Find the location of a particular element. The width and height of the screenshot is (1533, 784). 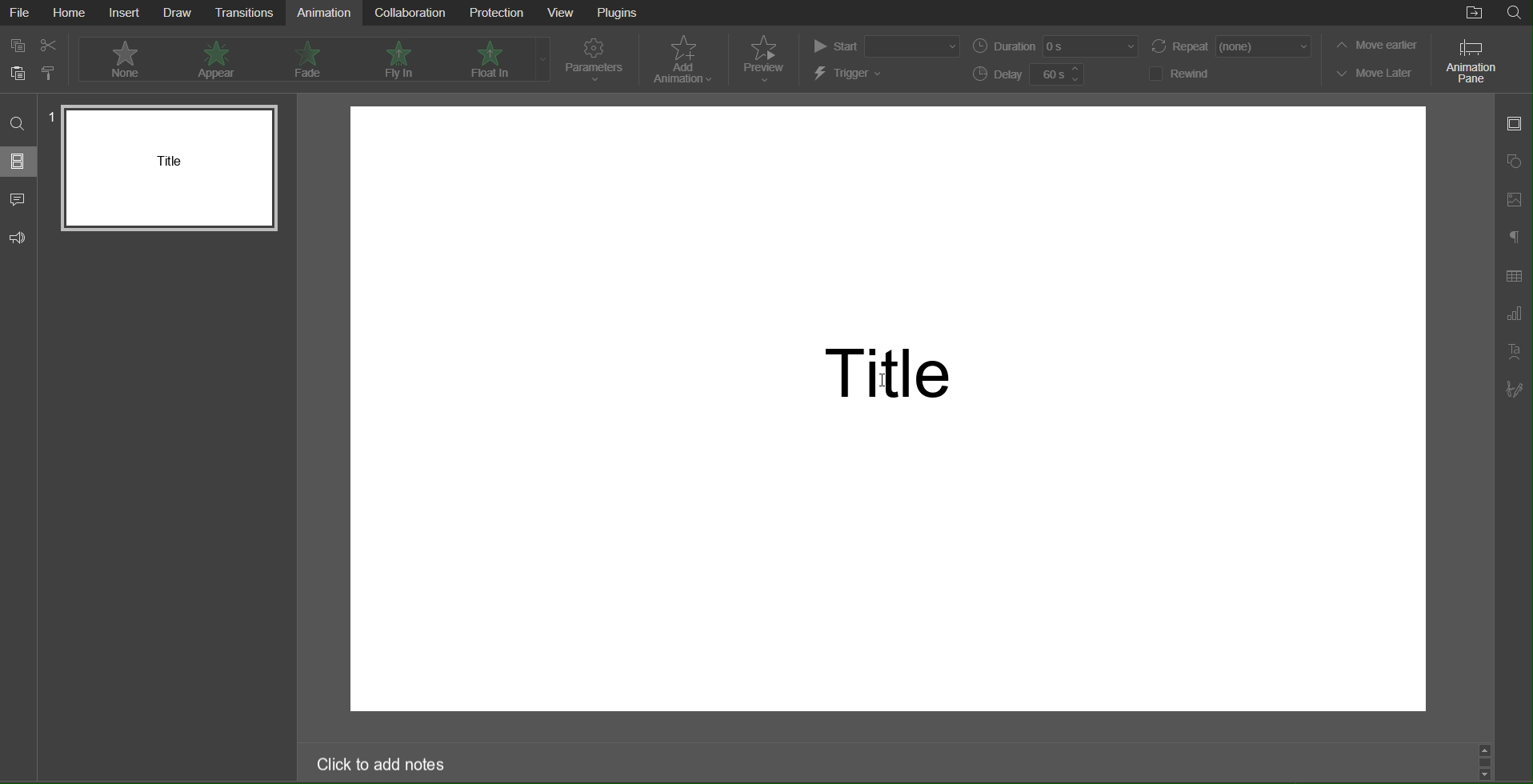

Trigger is located at coordinates (850, 74).